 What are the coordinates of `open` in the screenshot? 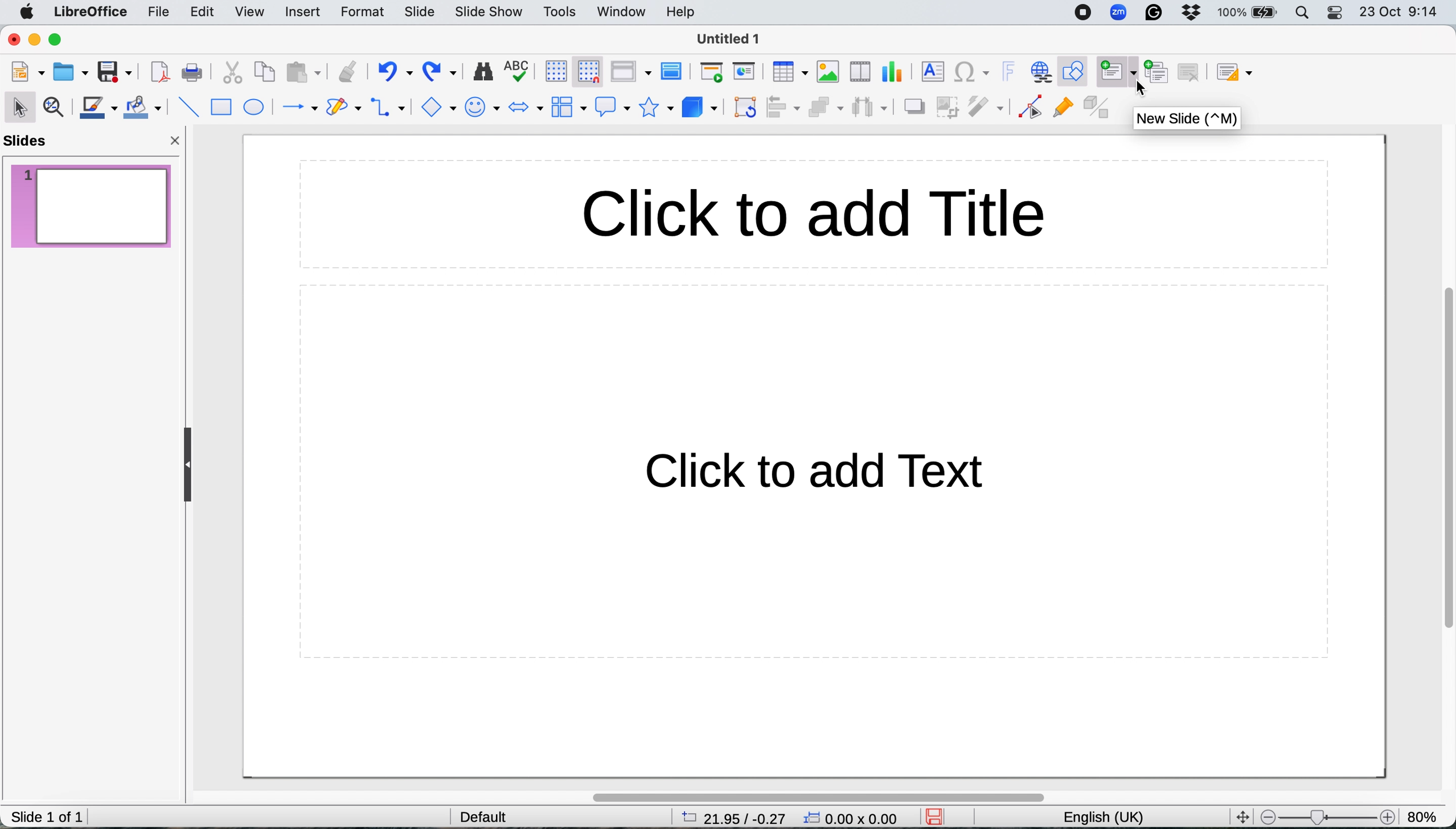 It's located at (71, 73).